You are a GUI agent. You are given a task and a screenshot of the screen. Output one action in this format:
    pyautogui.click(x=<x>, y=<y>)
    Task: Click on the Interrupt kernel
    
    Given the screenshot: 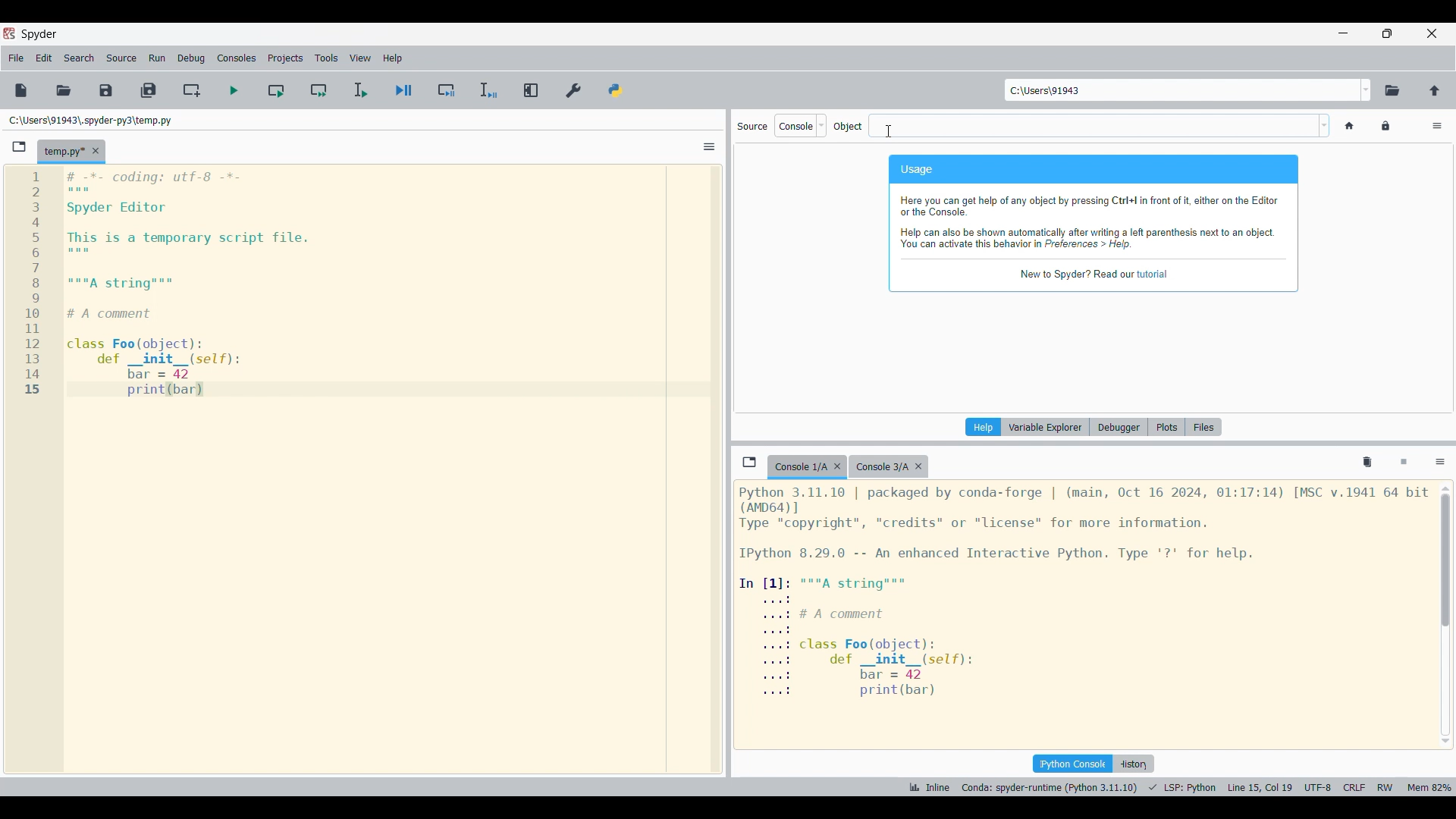 What is the action you would take?
    pyautogui.click(x=1404, y=463)
    